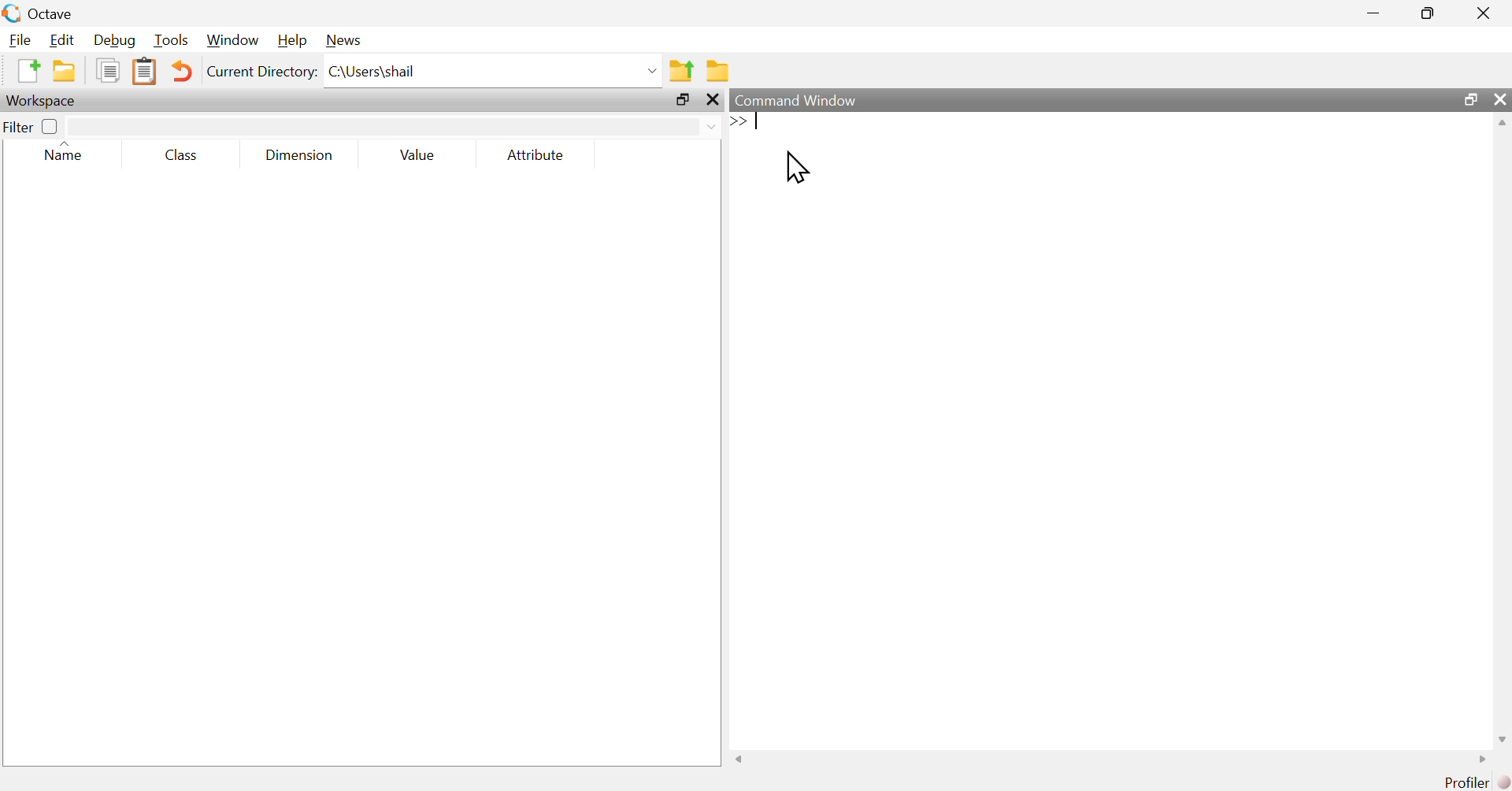 The width and height of the screenshot is (1512, 791). What do you see at coordinates (1479, 759) in the screenshot?
I see `Scrollbar right` at bounding box center [1479, 759].